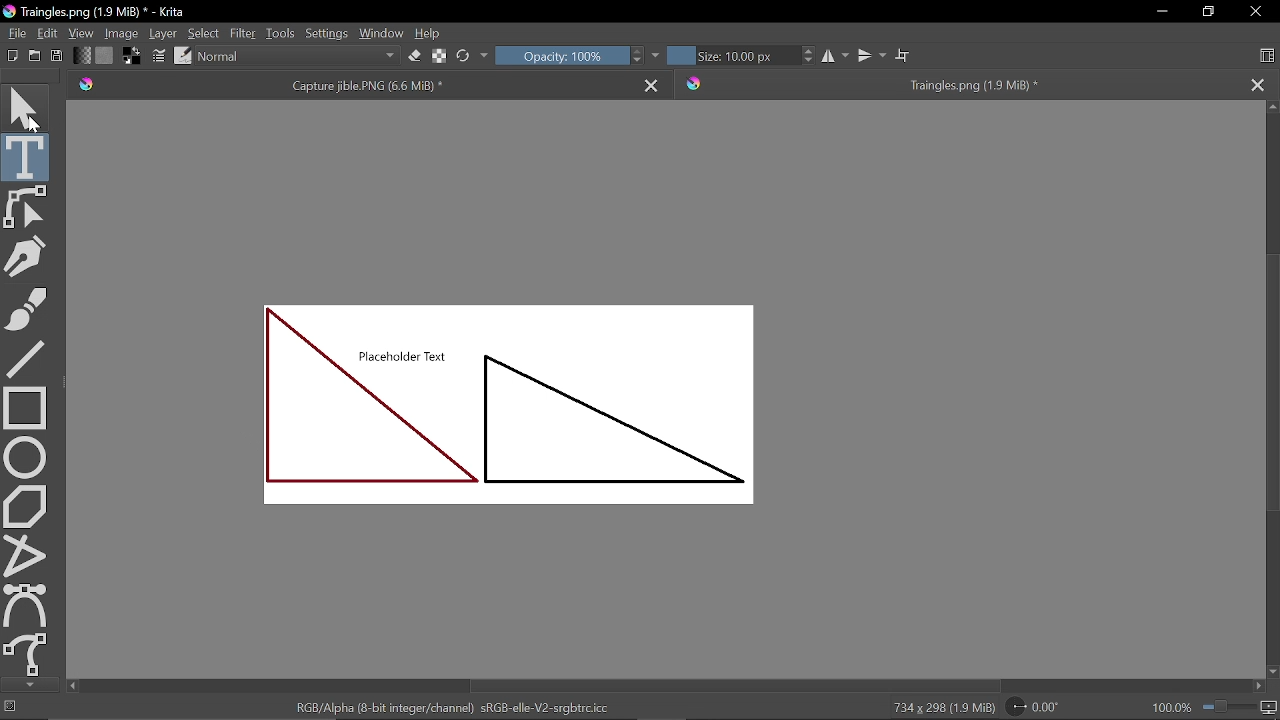  What do you see at coordinates (27, 655) in the screenshot?
I see `Freehand select tool` at bounding box center [27, 655].